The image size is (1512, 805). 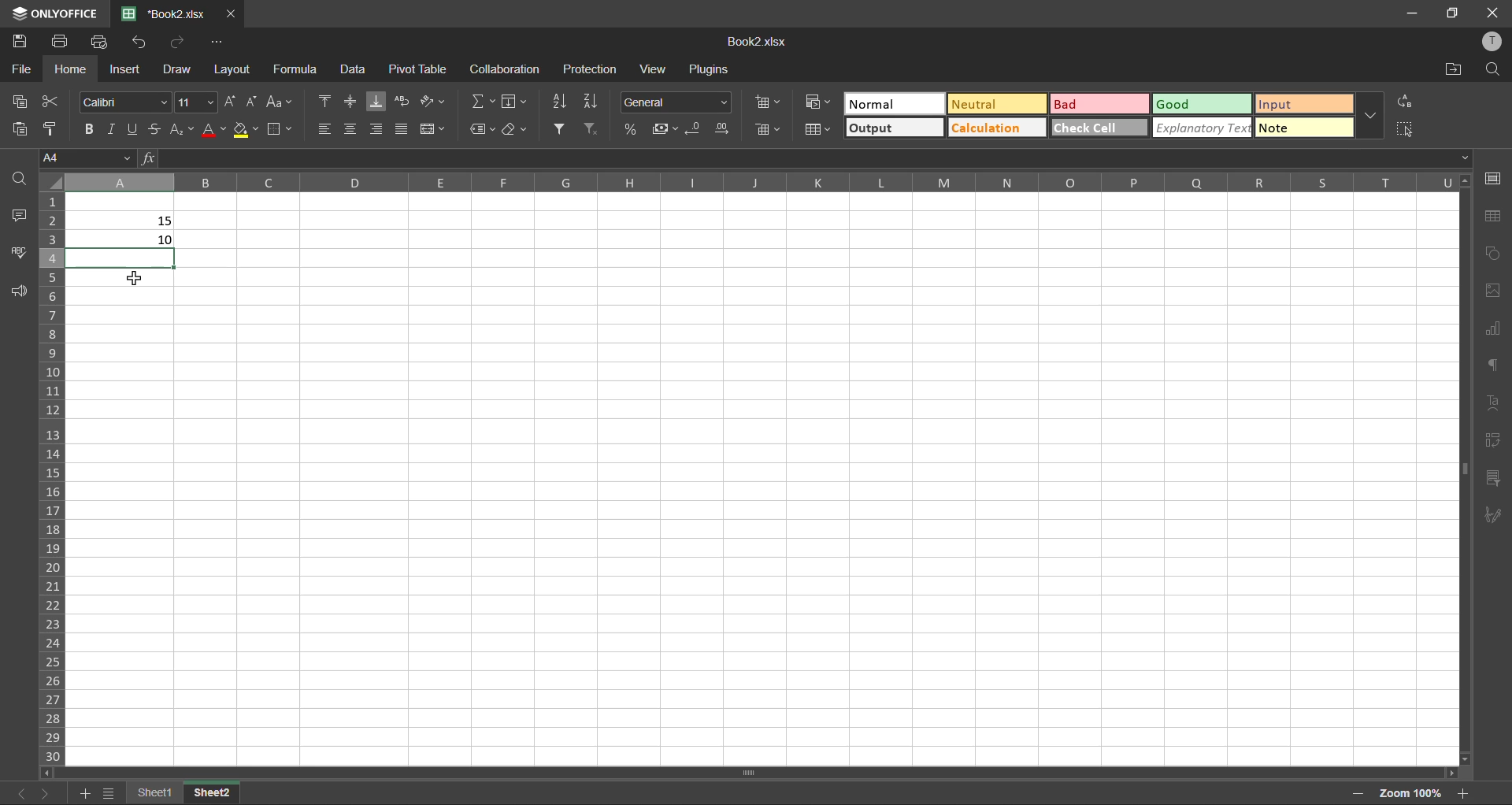 I want to click on strikethrough, so click(x=154, y=127).